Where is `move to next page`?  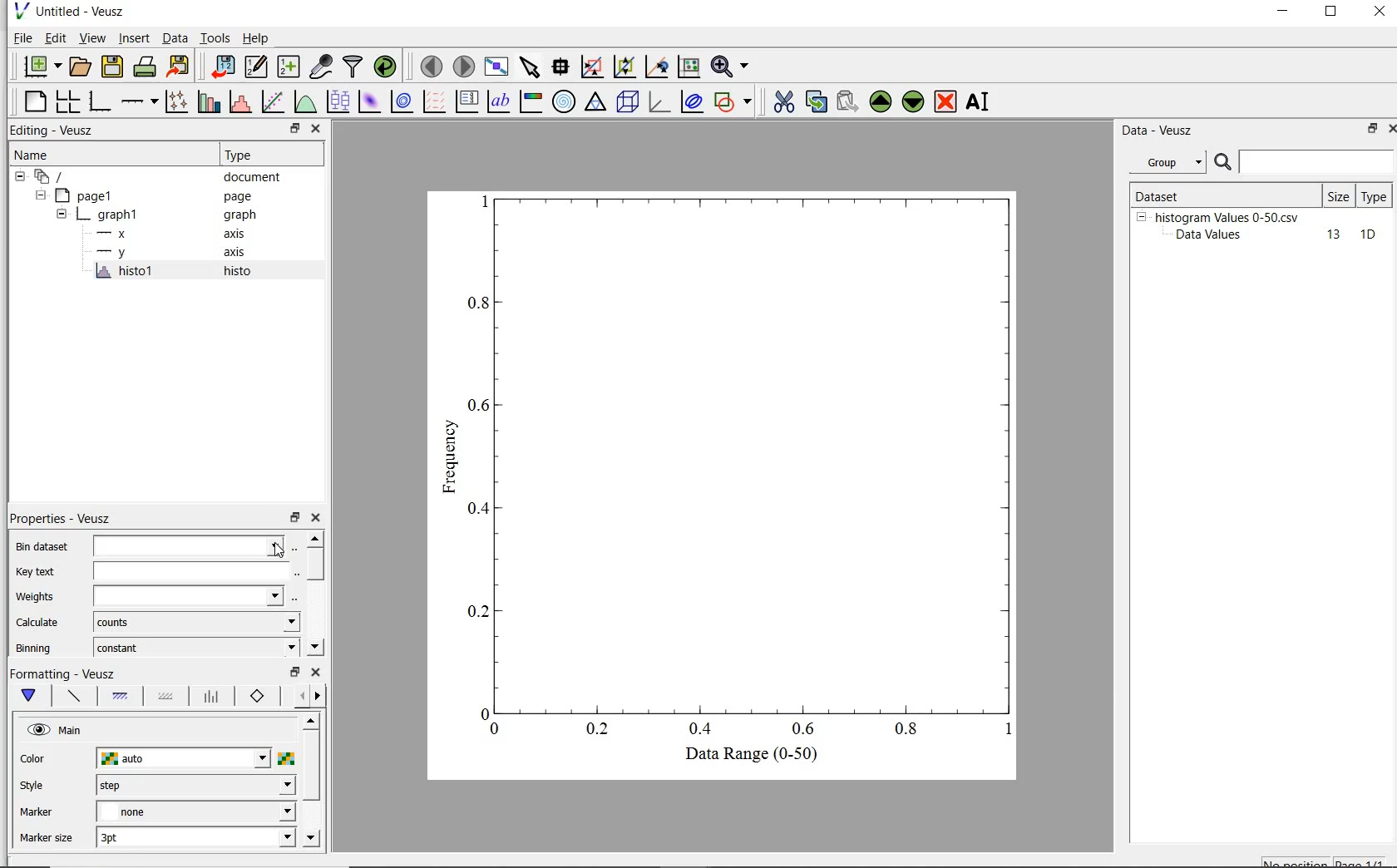
move to next page is located at coordinates (465, 66).